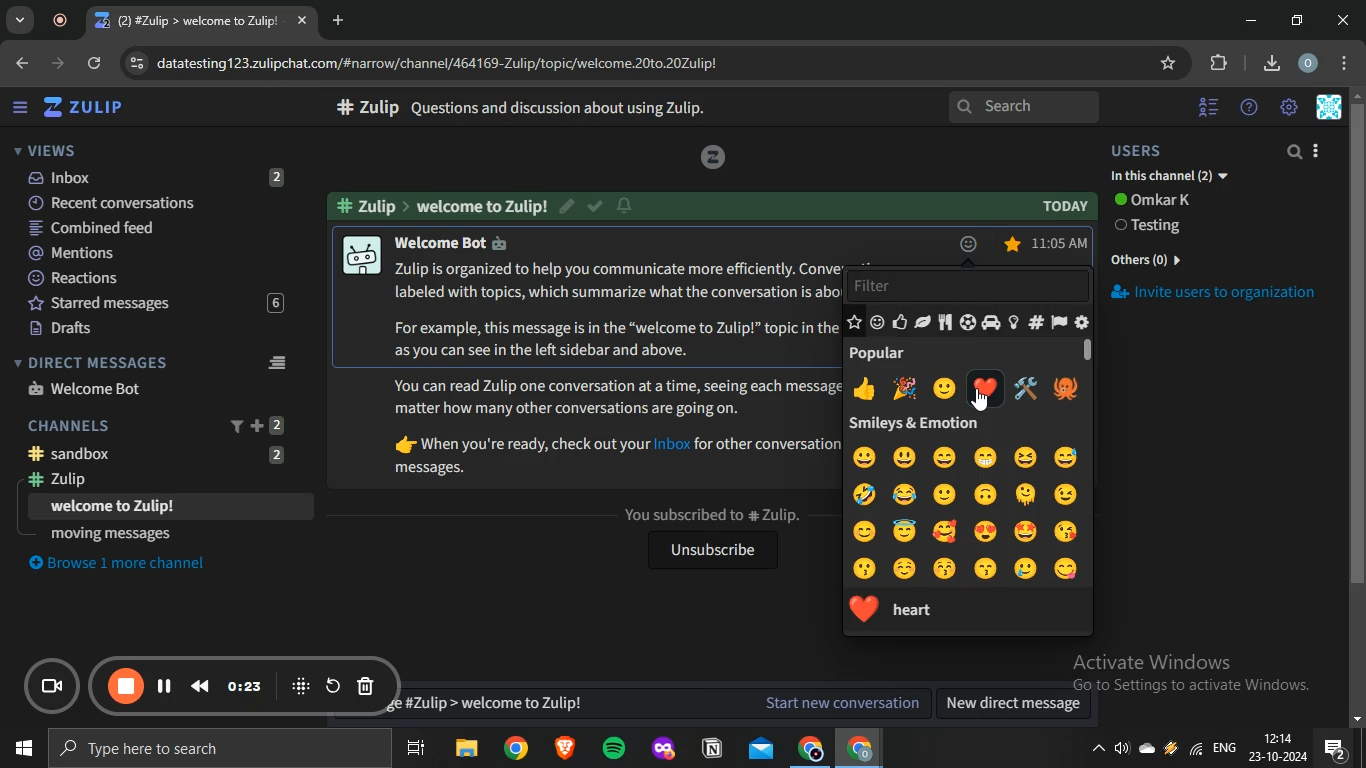  What do you see at coordinates (65, 21) in the screenshot?
I see `recording` at bounding box center [65, 21].